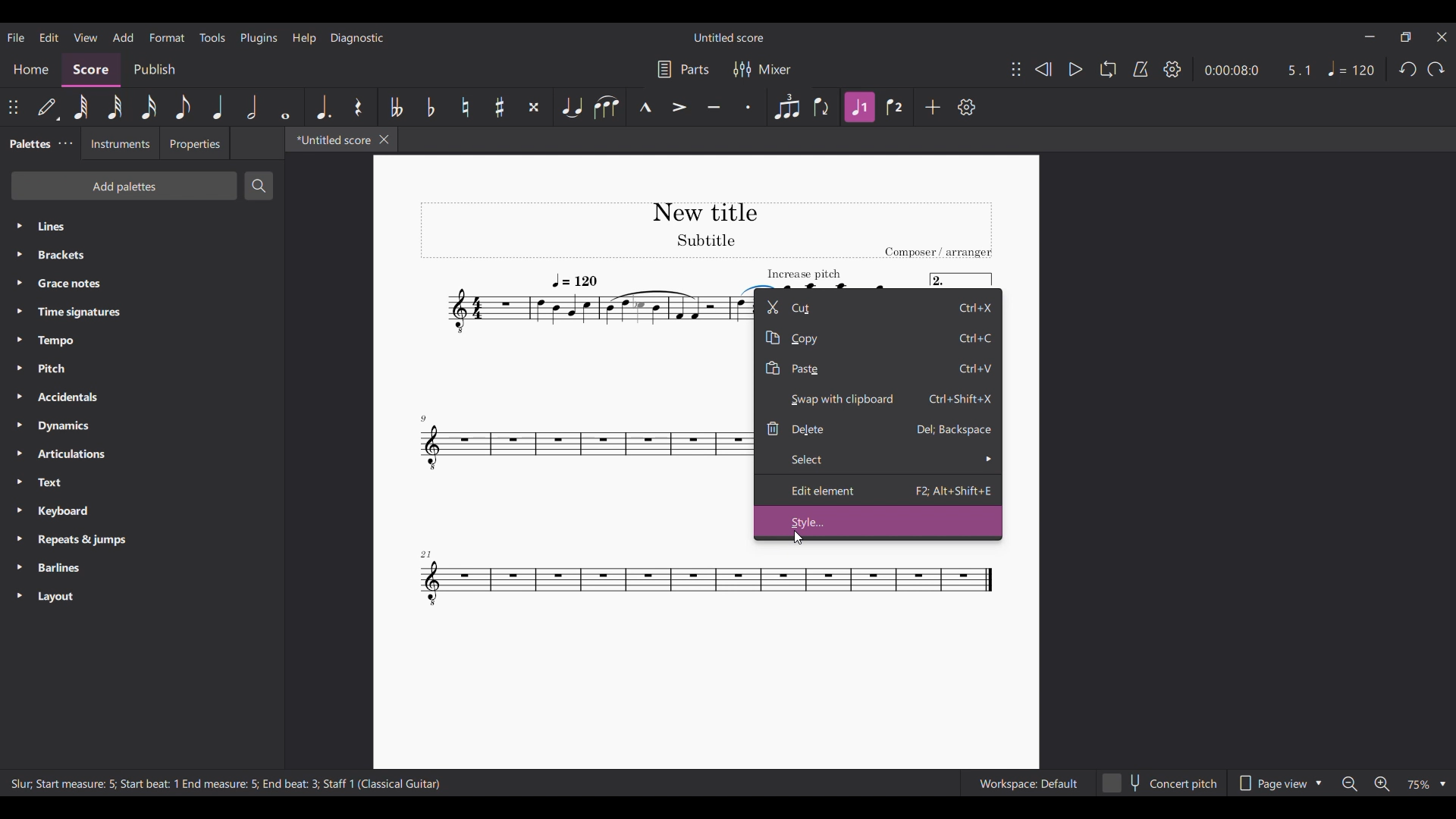  Describe the element at coordinates (1172, 69) in the screenshot. I see `Settings` at that location.